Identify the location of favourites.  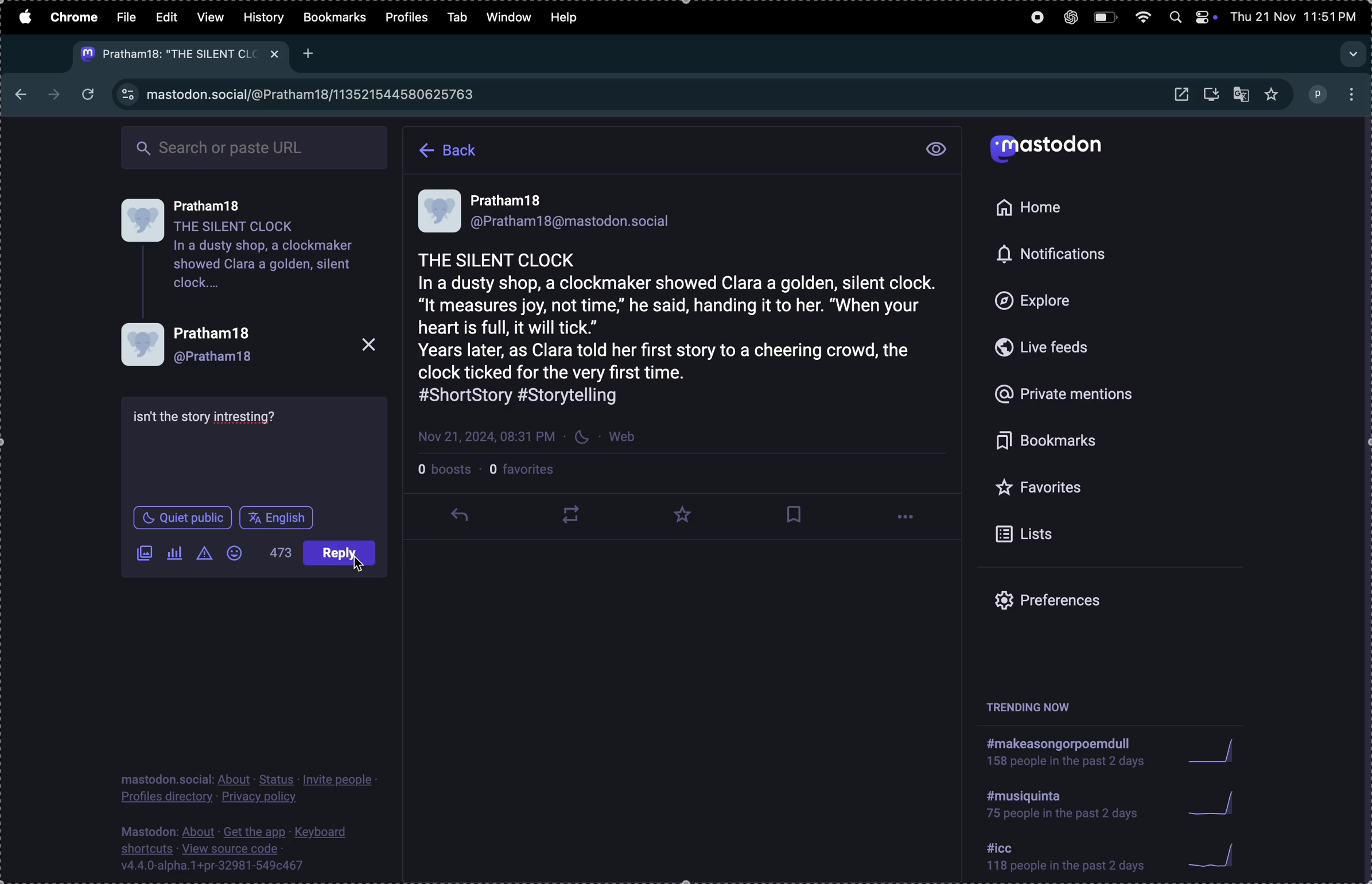
(1271, 95).